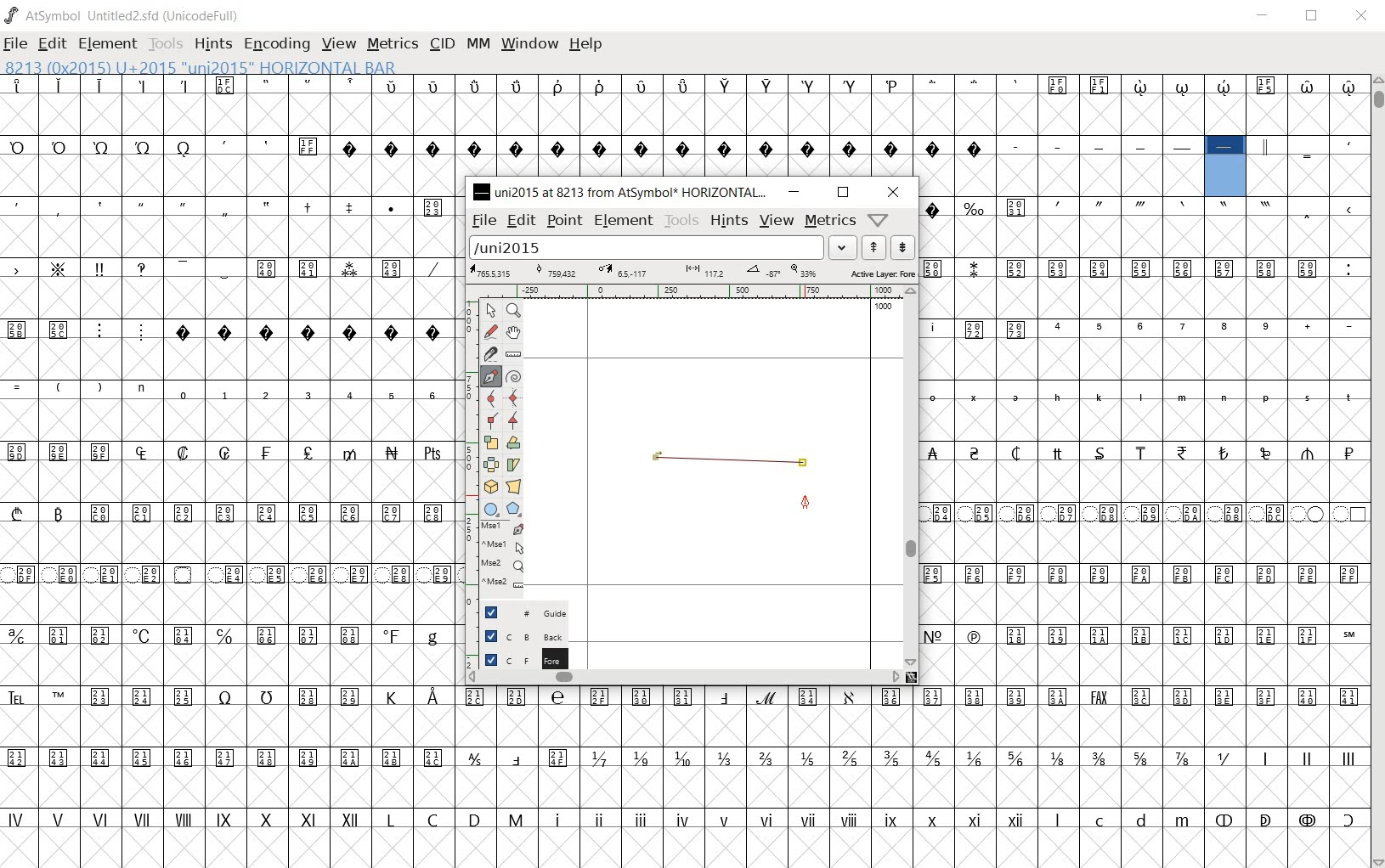 The height and width of the screenshot is (868, 1385). What do you see at coordinates (109, 43) in the screenshot?
I see `ELEMENT` at bounding box center [109, 43].